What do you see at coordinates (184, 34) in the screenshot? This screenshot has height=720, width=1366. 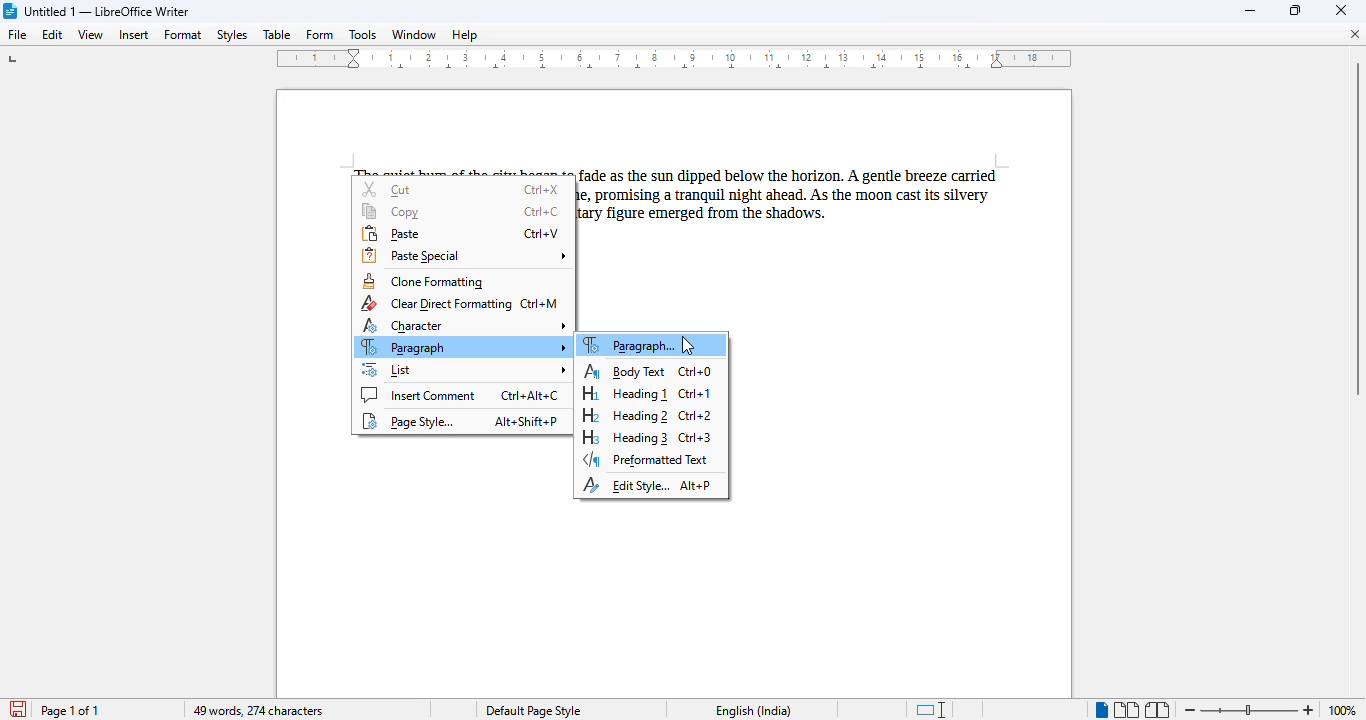 I see `format` at bounding box center [184, 34].